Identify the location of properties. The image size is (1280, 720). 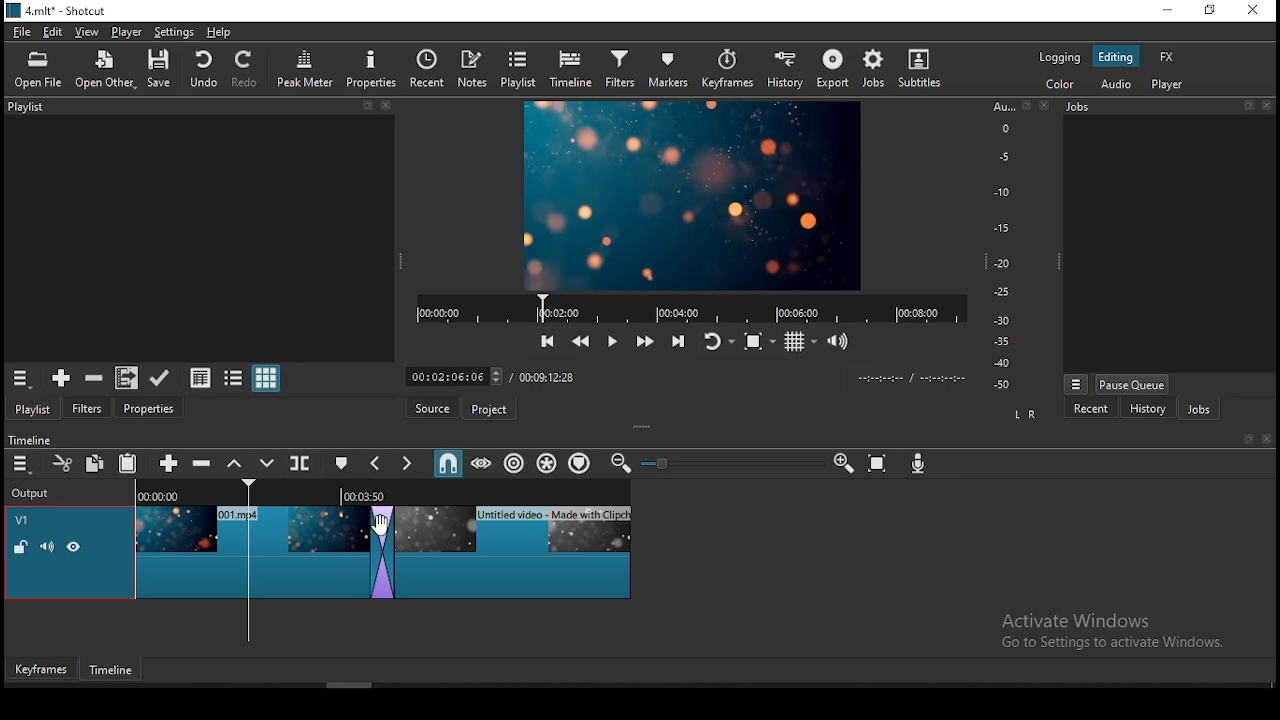
(149, 407).